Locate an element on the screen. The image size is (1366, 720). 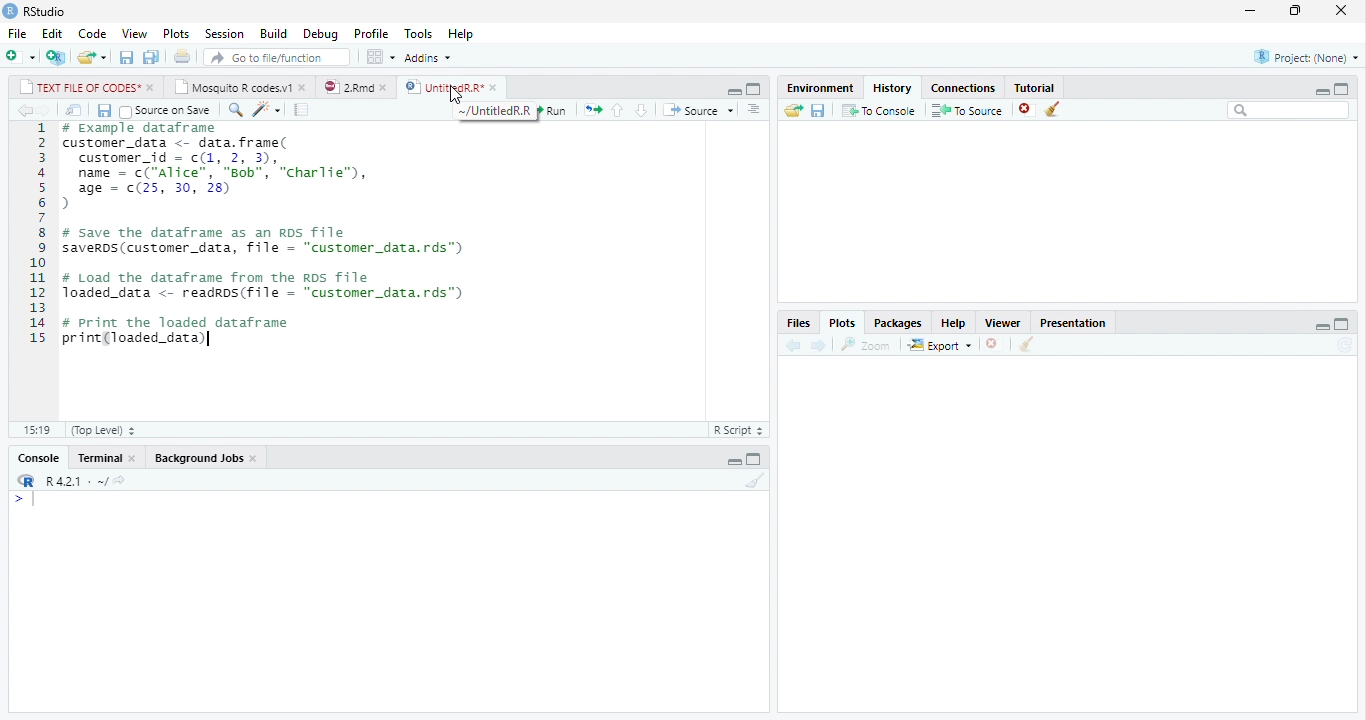
close file is located at coordinates (1028, 109).